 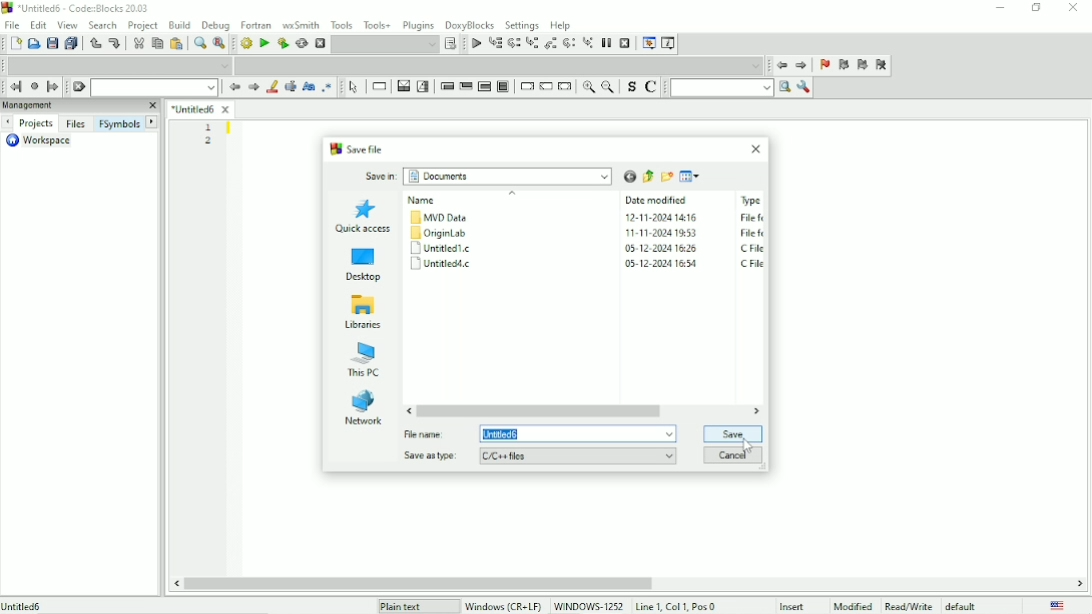 I want to click on Run, so click(x=263, y=43).